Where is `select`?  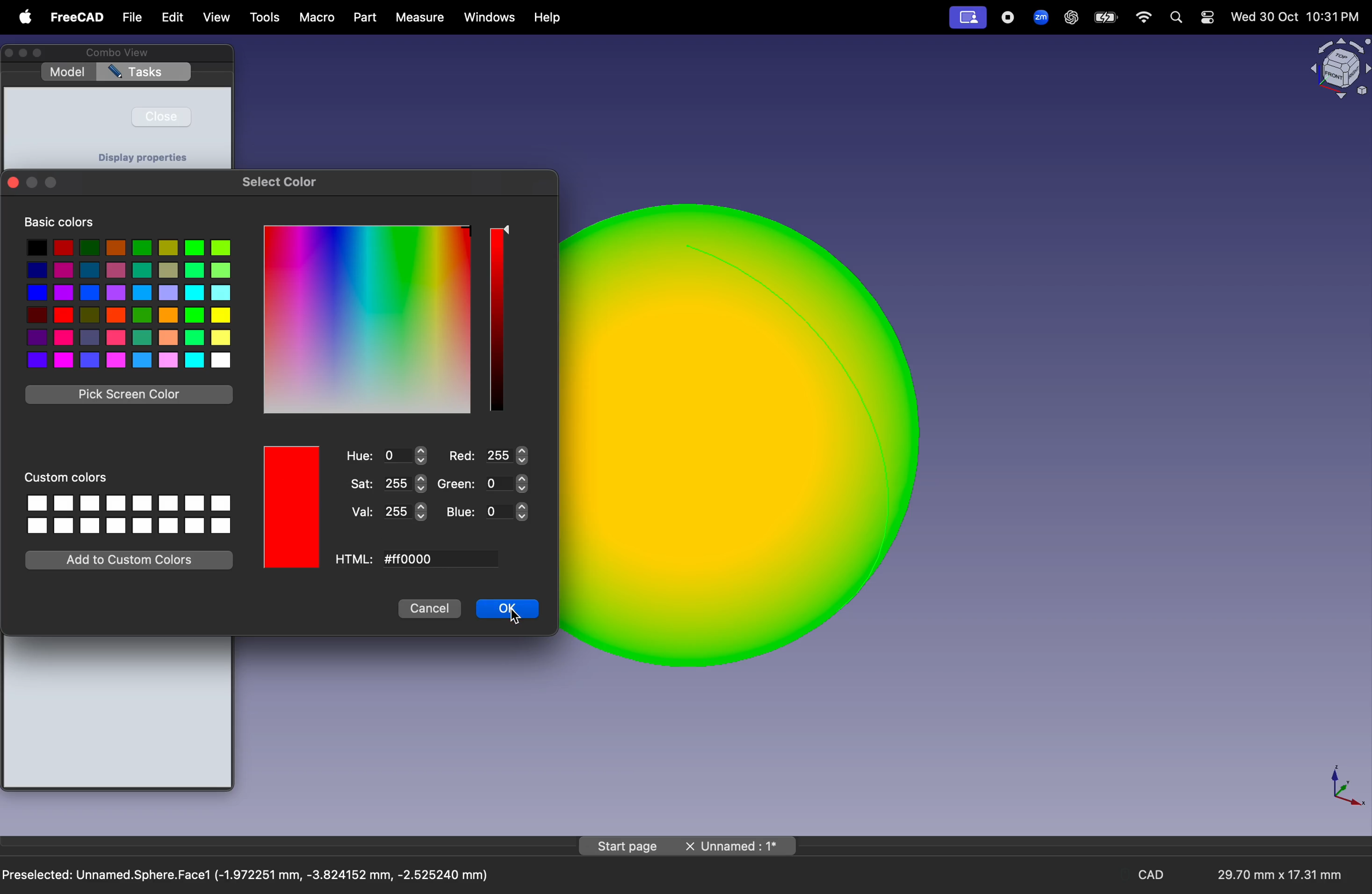 select is located at coordinates (507, 230).